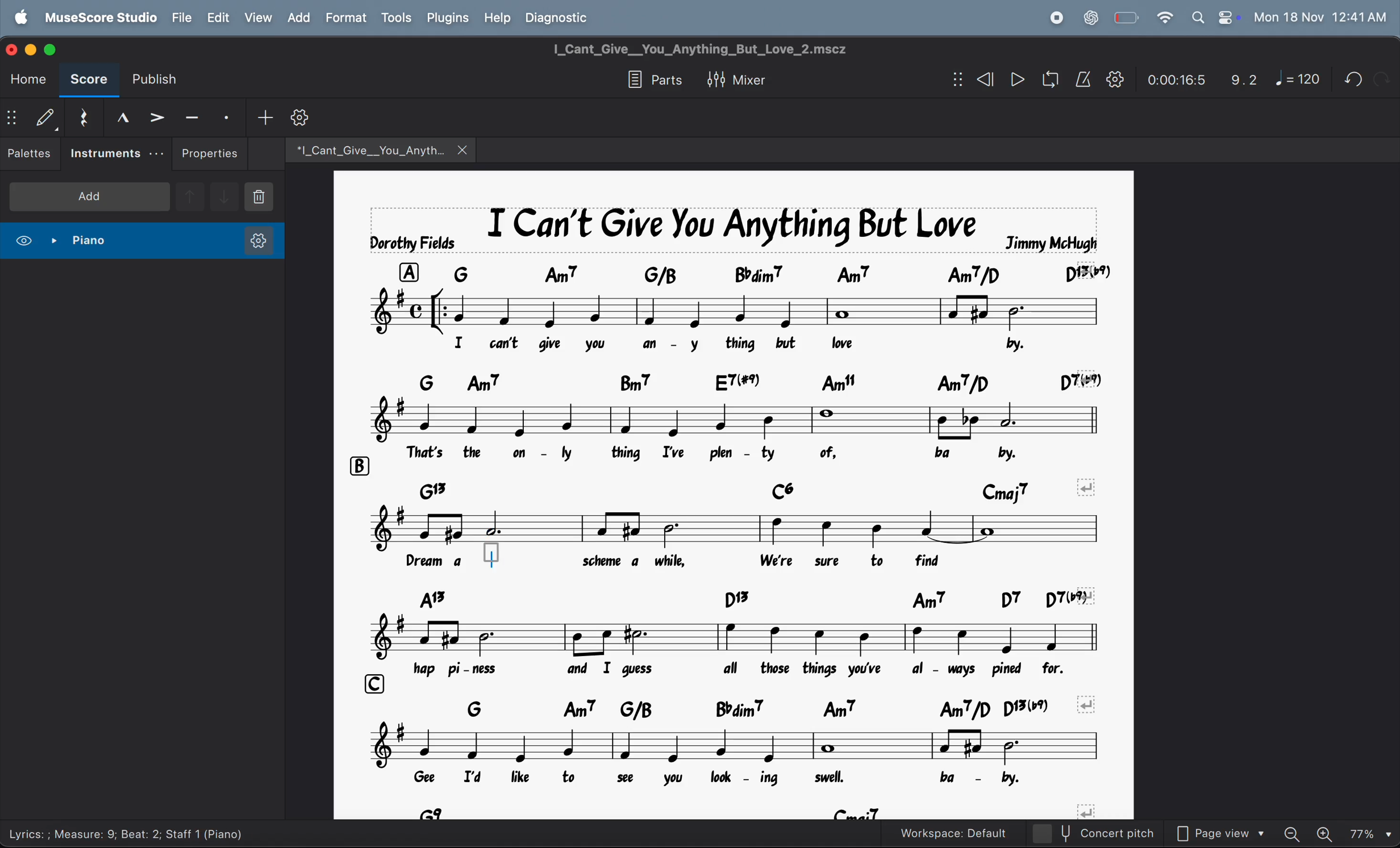 The width and height of the screenshot is (1400, 848). Describe the element at coordinates (210, 152) in the screenshot. I see `properties` at that location.